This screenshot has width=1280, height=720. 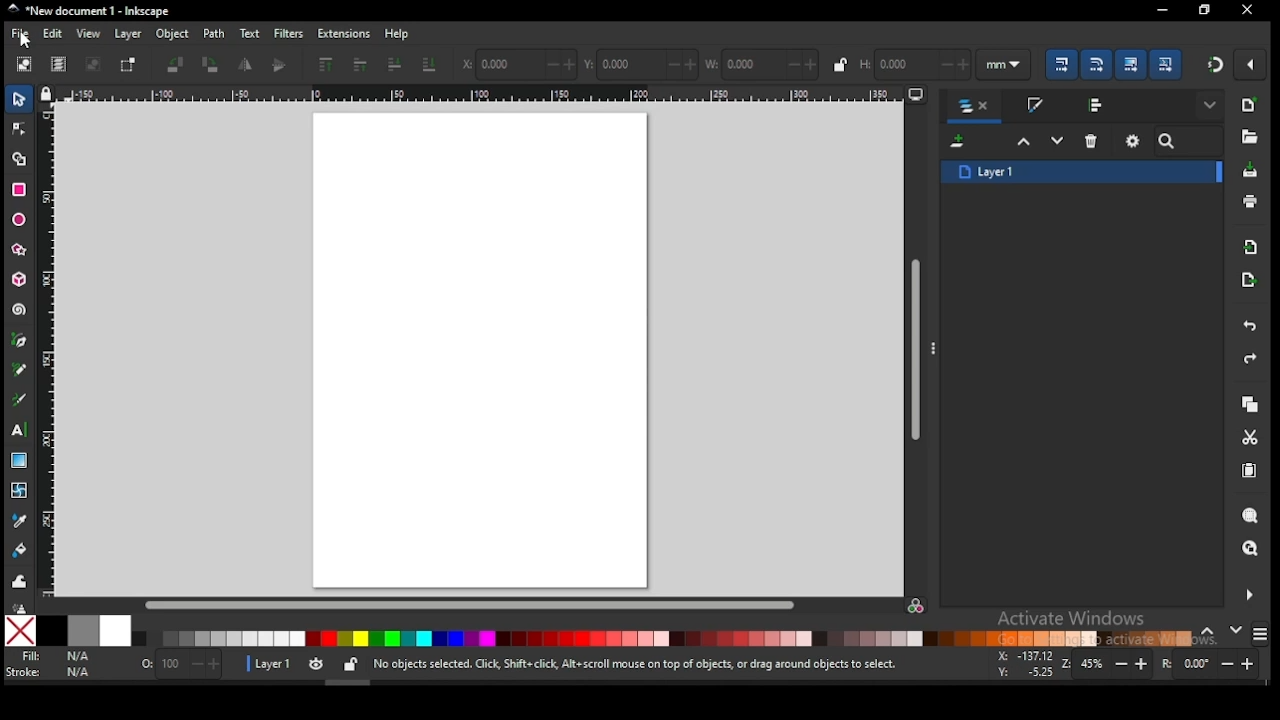 I want to click on dropper tool, so click(x=20, y=519).